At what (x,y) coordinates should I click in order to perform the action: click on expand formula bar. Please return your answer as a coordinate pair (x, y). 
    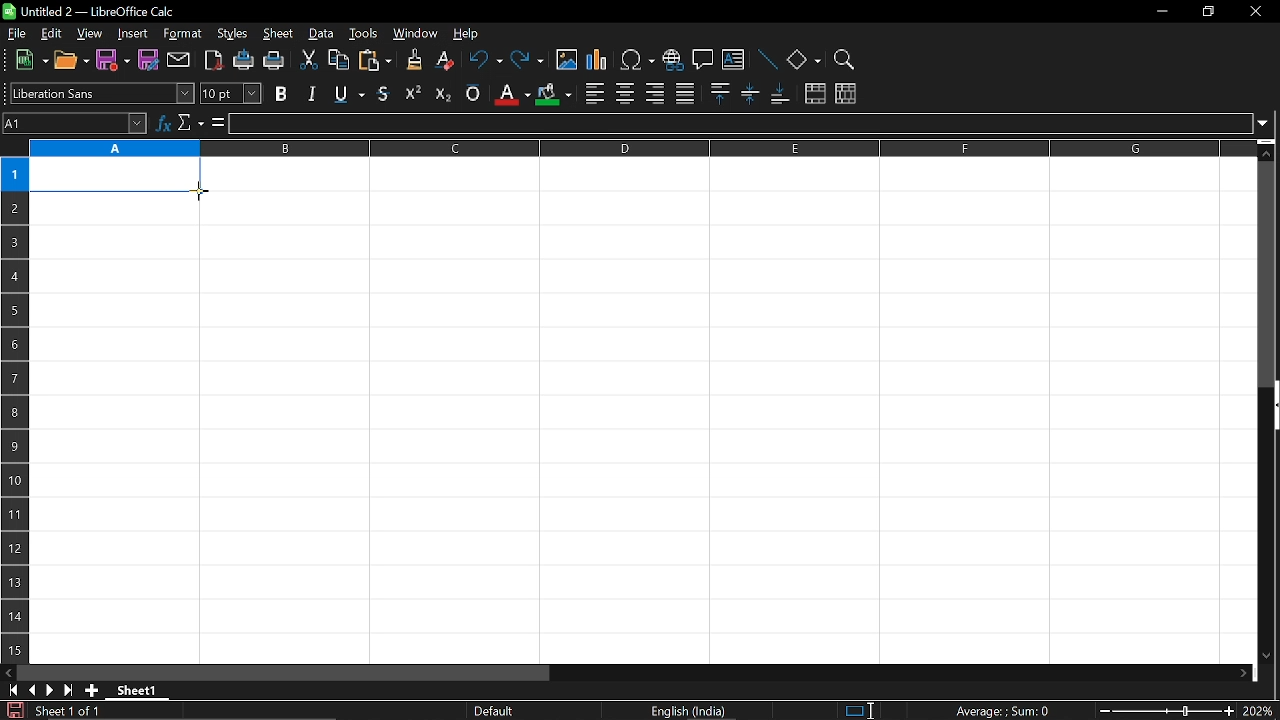
    Looking at the image, I should click on (1266, 123).